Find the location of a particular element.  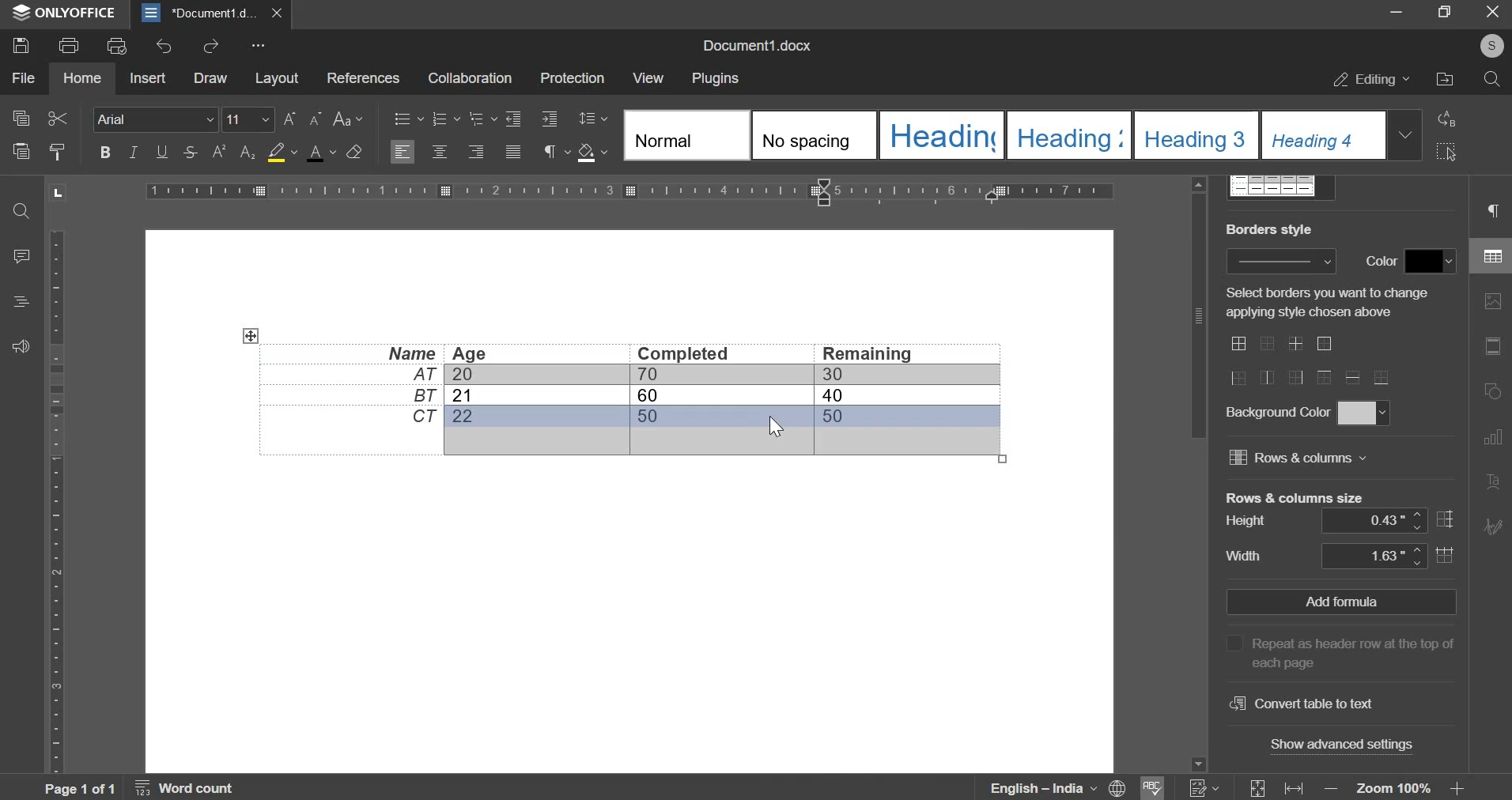

layout is located at coordinates (275, 77).